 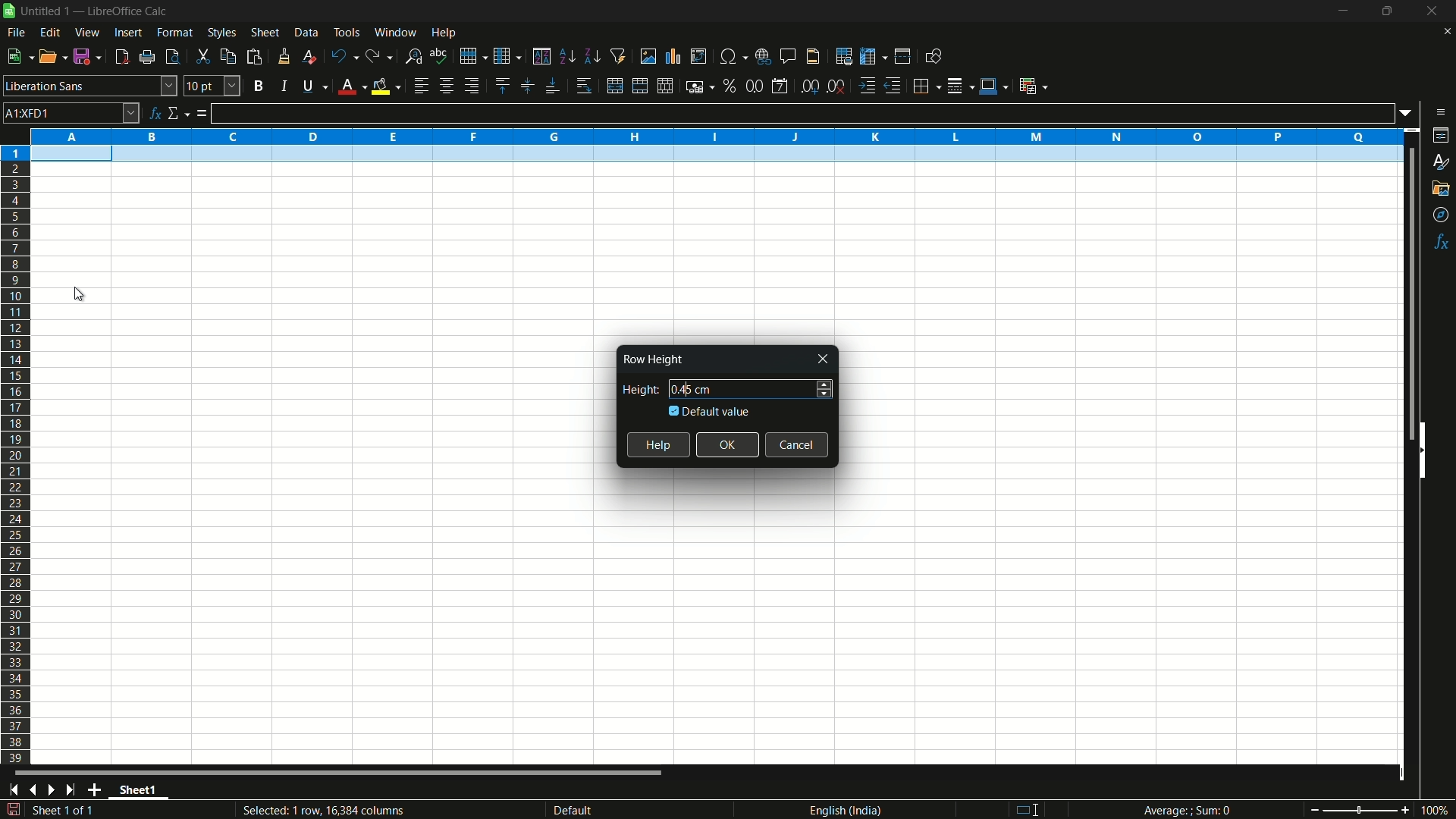 What do you see at coordinates (121, 57) in the screenshot?
I see `export directly as pdf` at bounding box center [121, 57].